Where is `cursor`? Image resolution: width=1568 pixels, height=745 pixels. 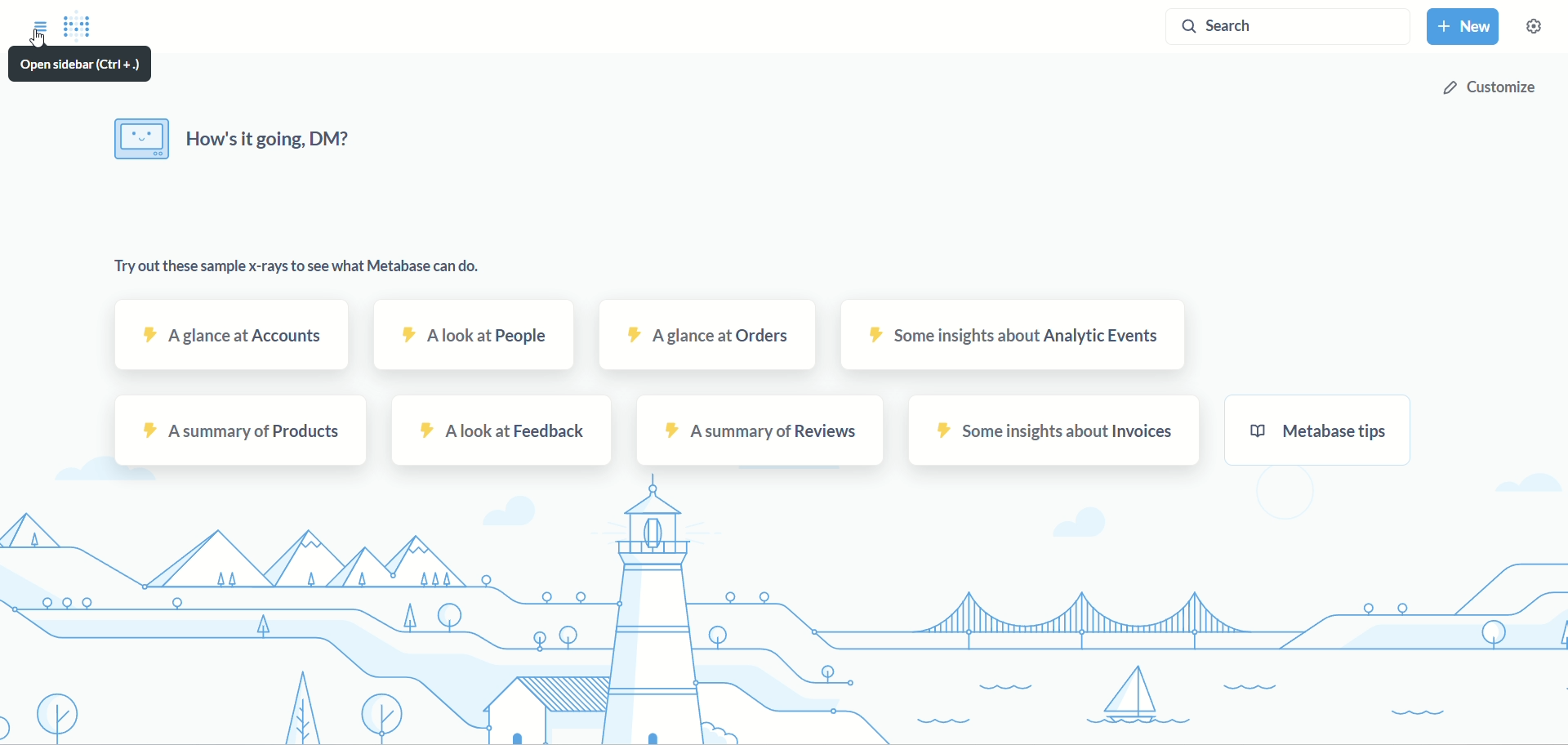
cursor is located at coordinates (42, 39).